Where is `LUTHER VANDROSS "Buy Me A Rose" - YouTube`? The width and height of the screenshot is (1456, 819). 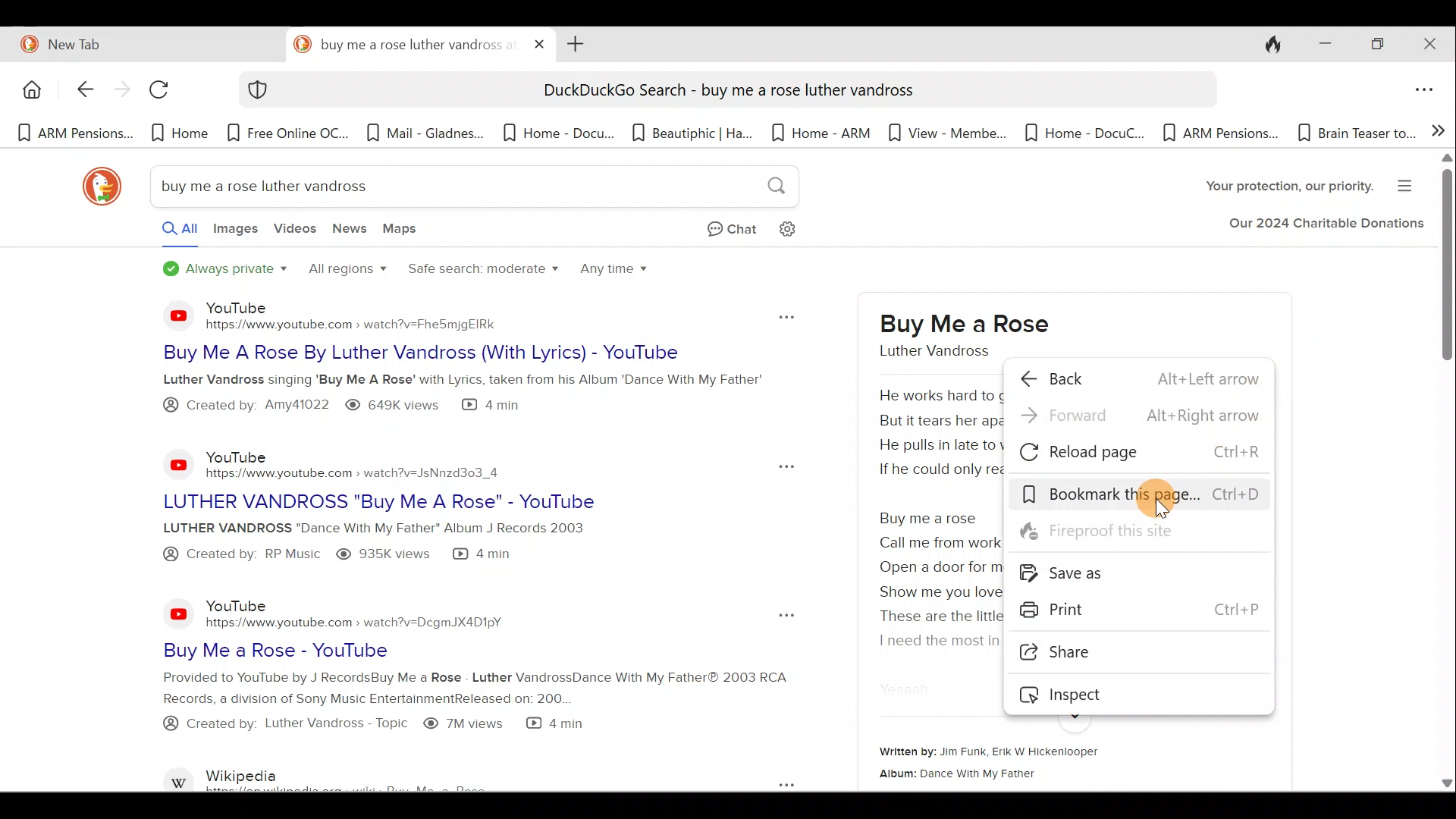 LUTHER VANDROSS "Buy Me A Rose" - YouTube is located at coordinates (445, 498).